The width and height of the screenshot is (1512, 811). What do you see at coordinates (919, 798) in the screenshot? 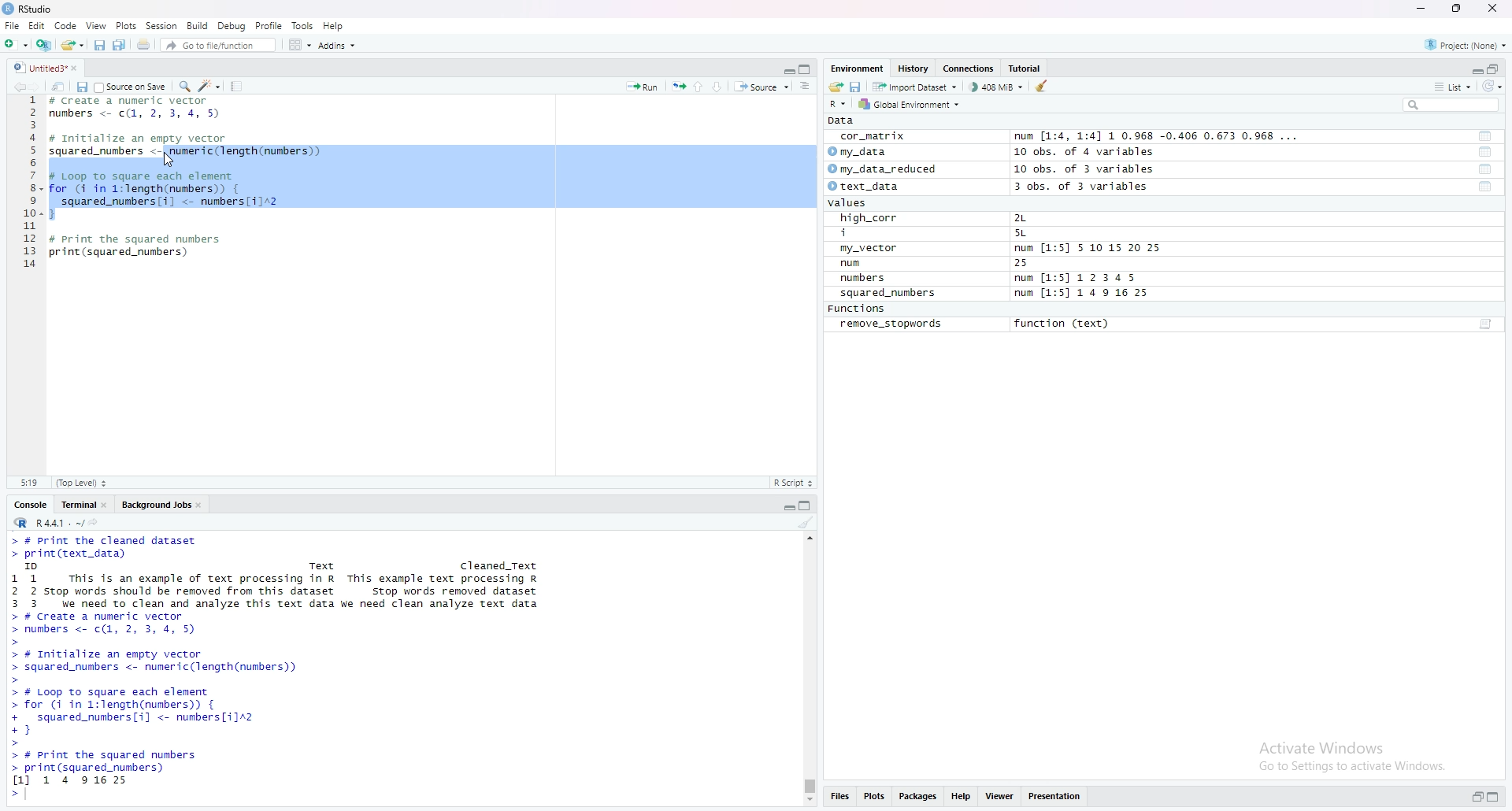
I see `Packages` at bounding box center [919, 798].